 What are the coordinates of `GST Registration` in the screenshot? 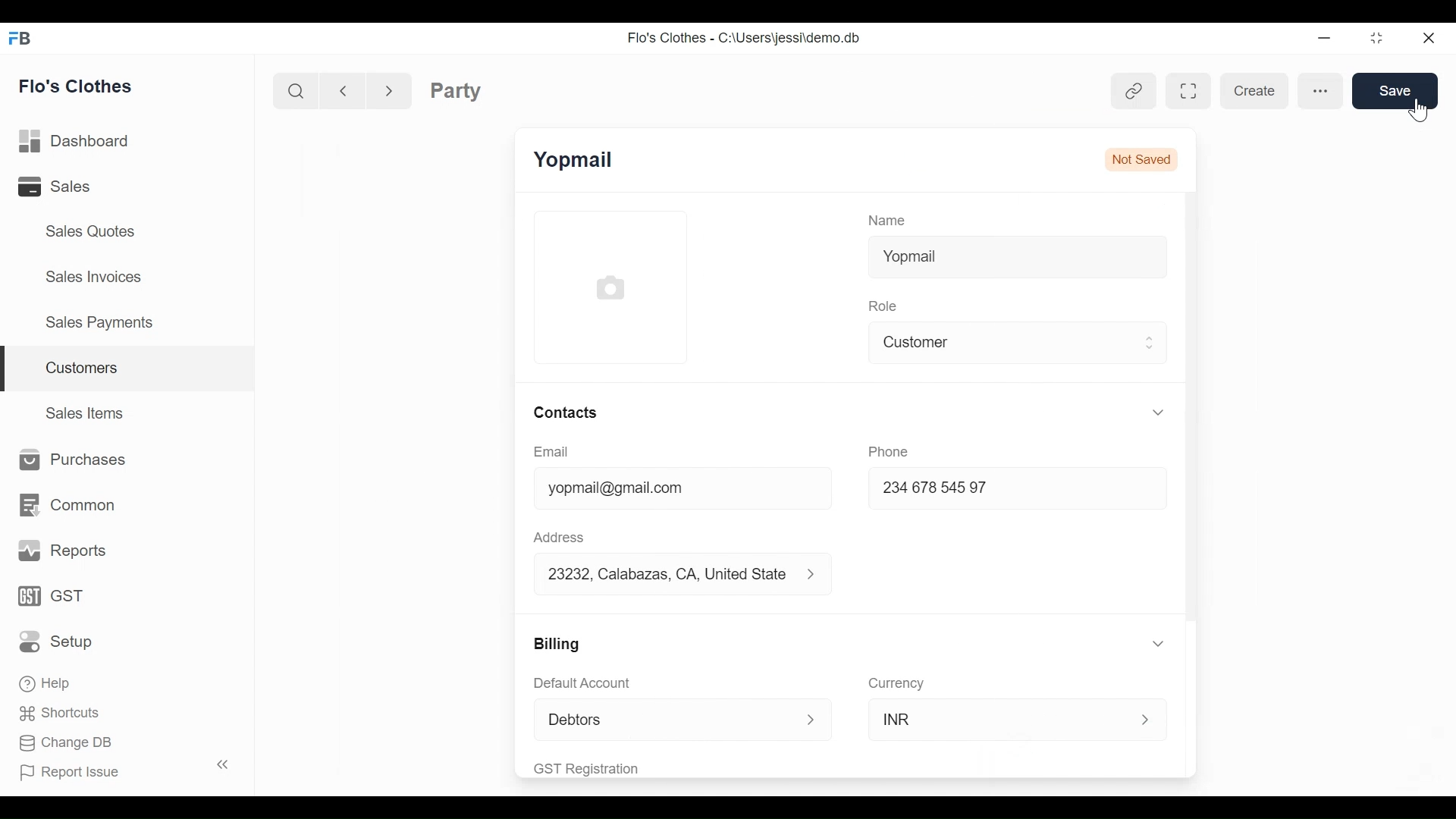 It's located at (608, 767).